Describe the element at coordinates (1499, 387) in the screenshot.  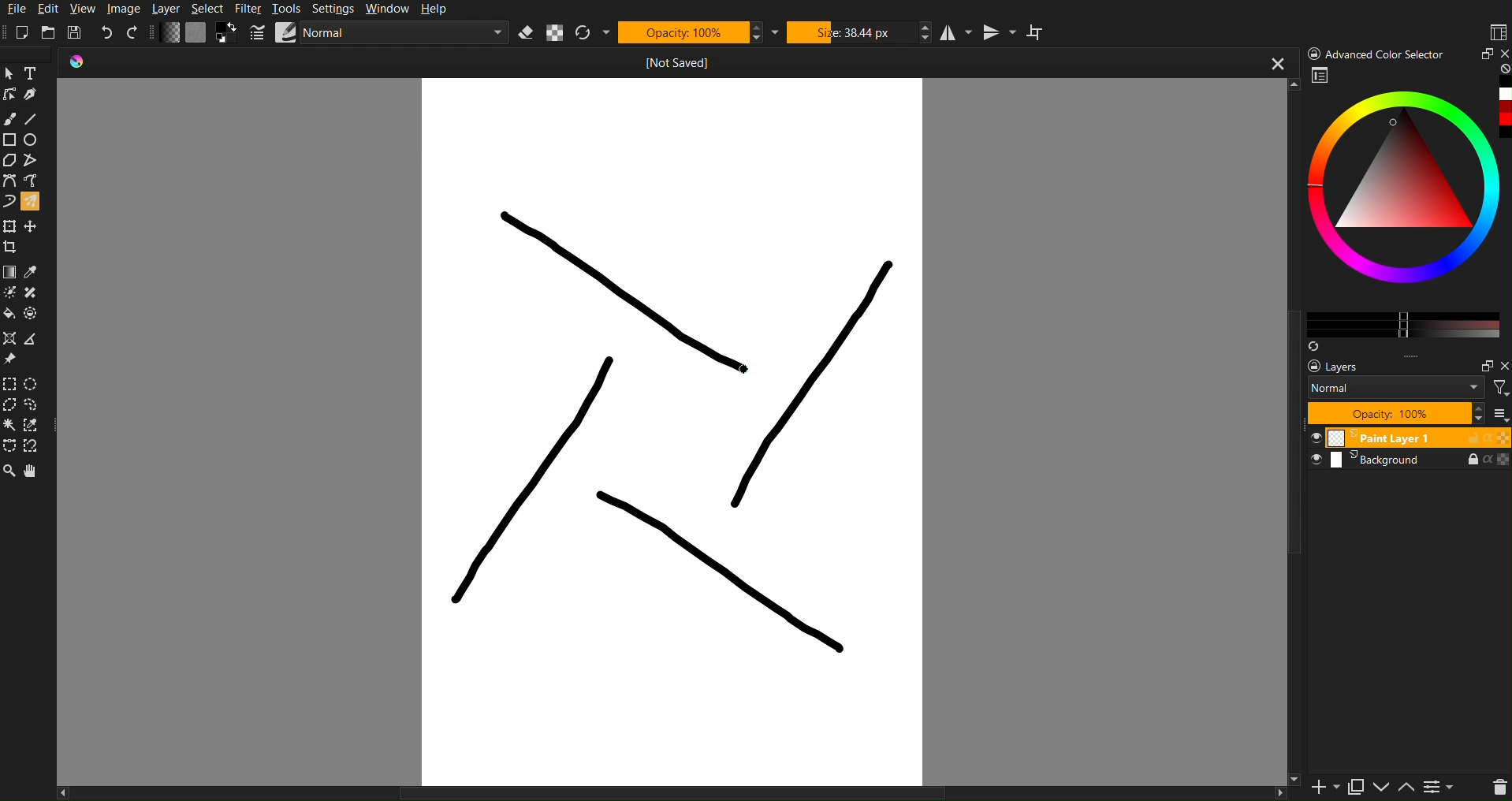
I see `filter` at that location.